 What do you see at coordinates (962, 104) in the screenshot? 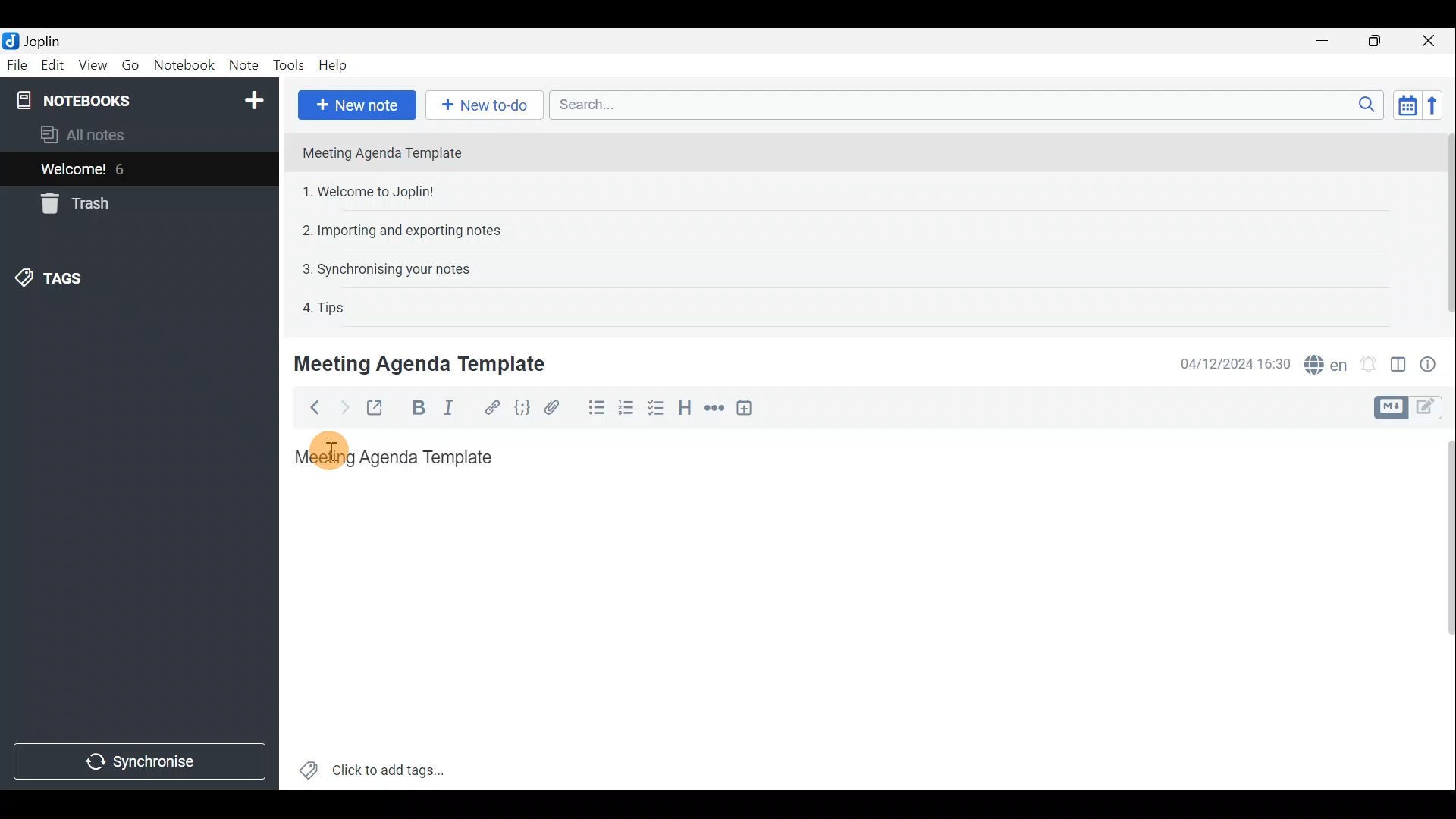
I see `Search bar` at bounding box center [962, 104].